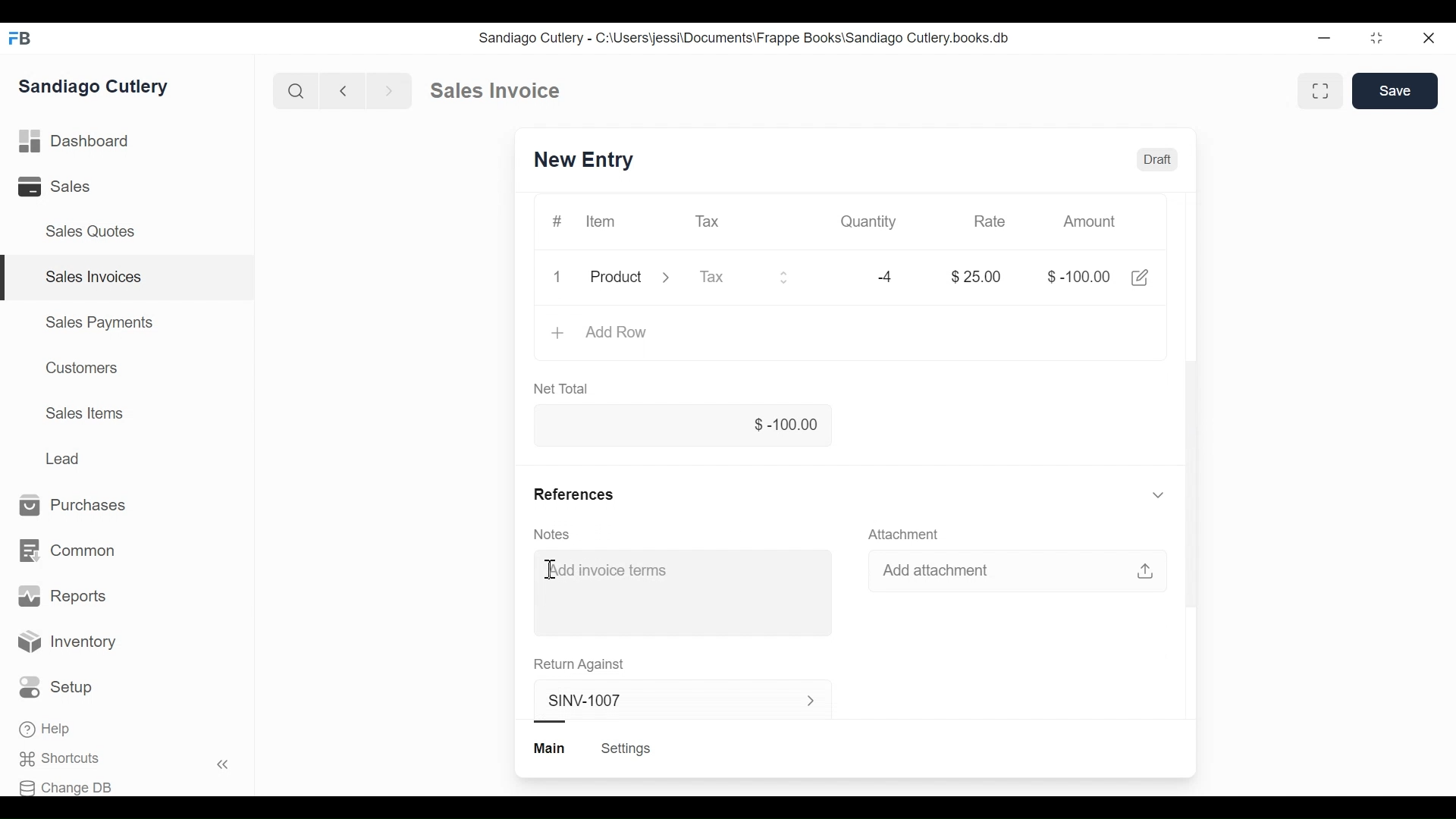 This screenshot has width=1456, height=819. I want to click on Tax, so click(708, 221).